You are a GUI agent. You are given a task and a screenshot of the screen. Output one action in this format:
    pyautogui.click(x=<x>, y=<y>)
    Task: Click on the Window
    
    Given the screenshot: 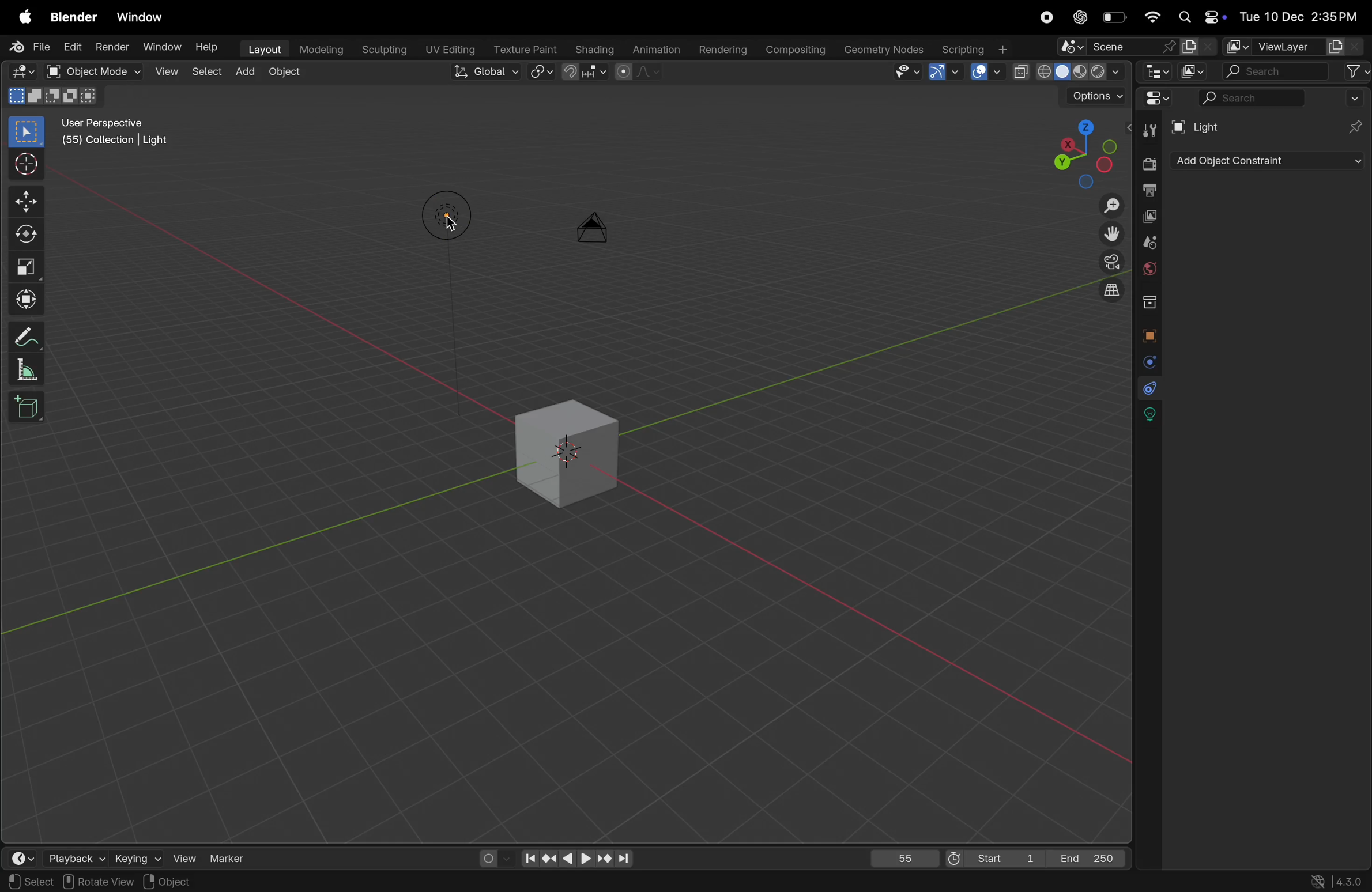 What is the action you would take?
    pyautogui.click(x=161, y=47)
    